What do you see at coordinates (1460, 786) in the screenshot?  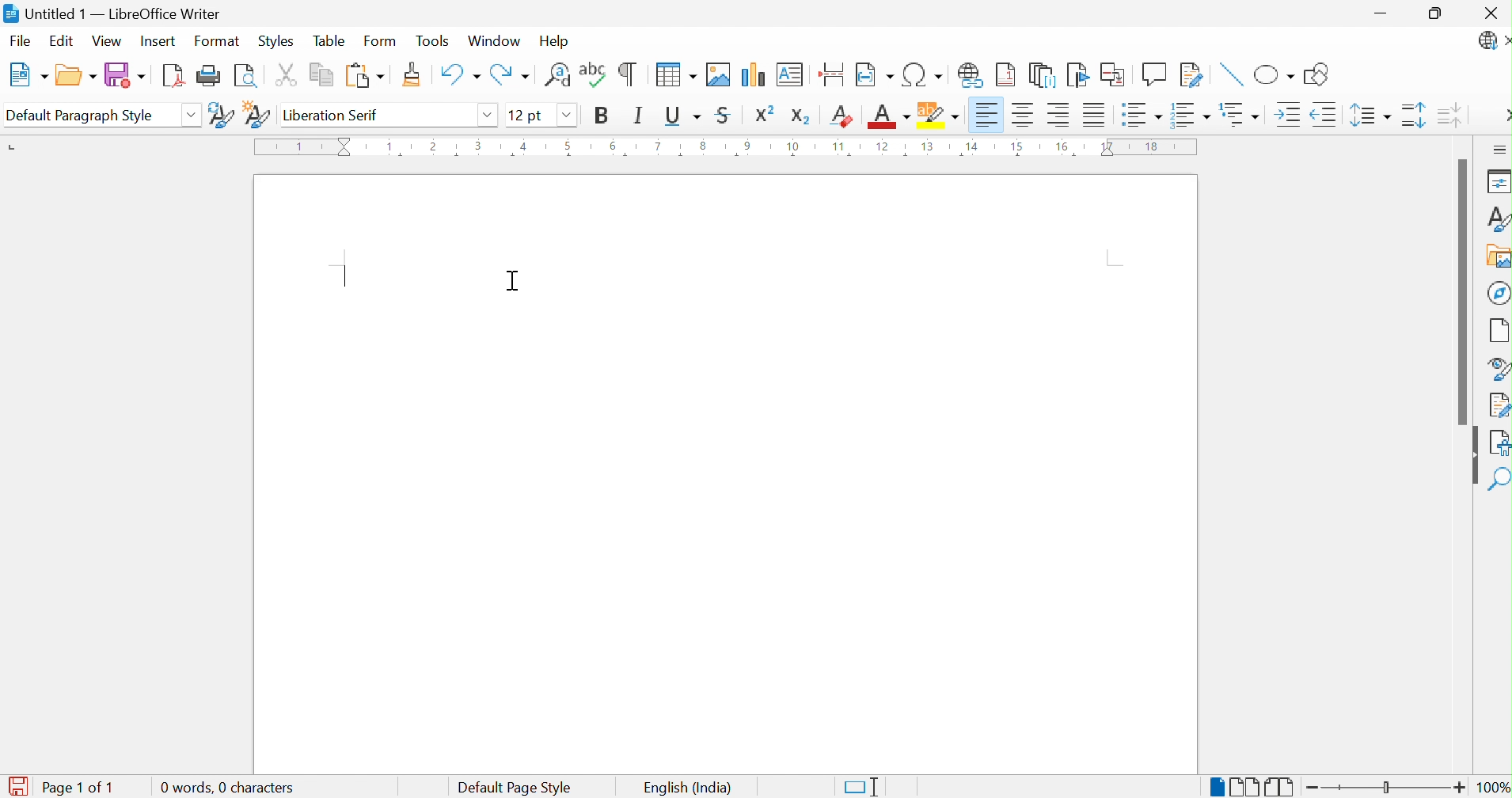 I see `Zoom In` at bounding box center [1460, 786].